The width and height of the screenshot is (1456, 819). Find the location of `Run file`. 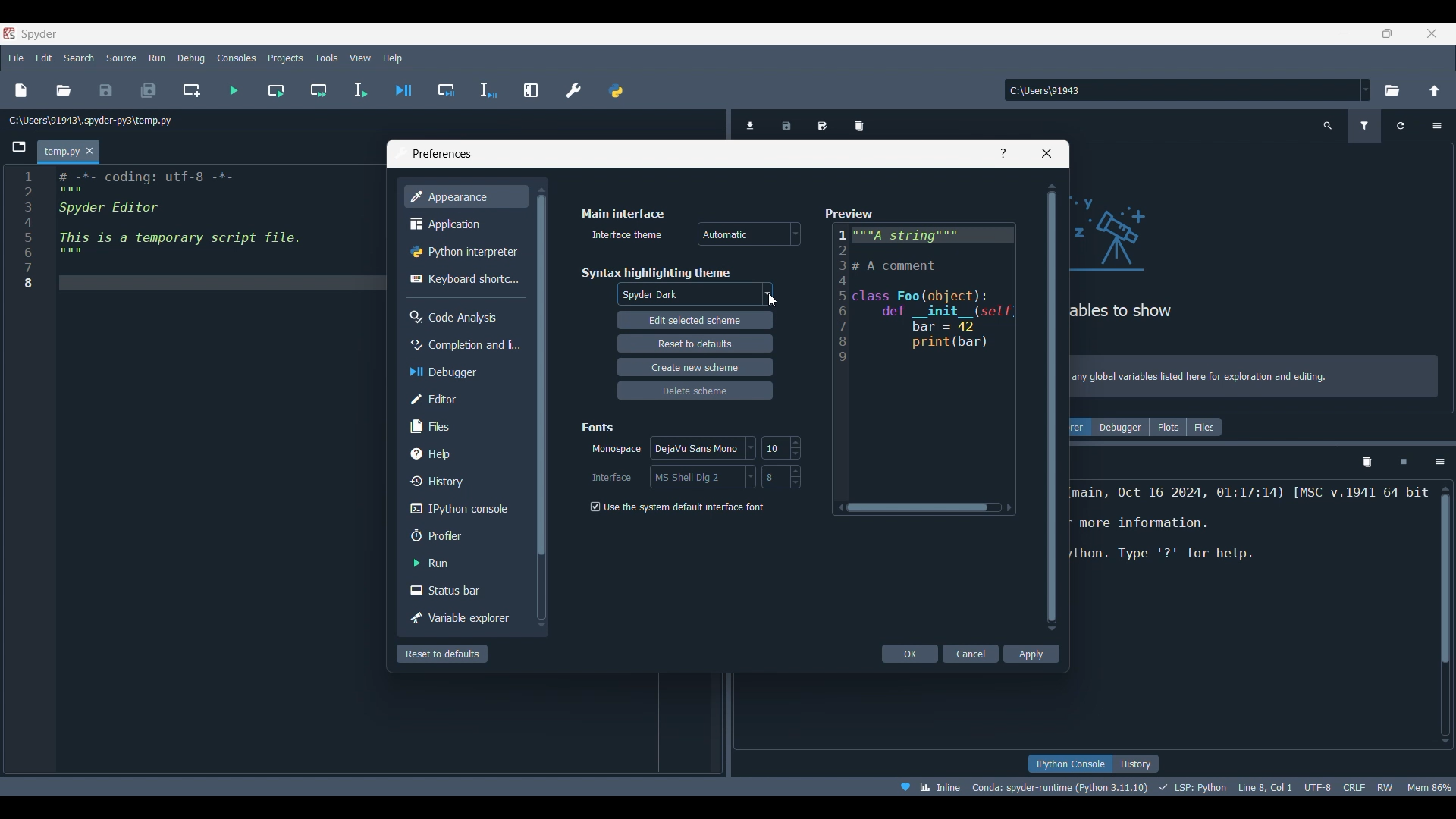

Run file is located at coordinates (234, 90).